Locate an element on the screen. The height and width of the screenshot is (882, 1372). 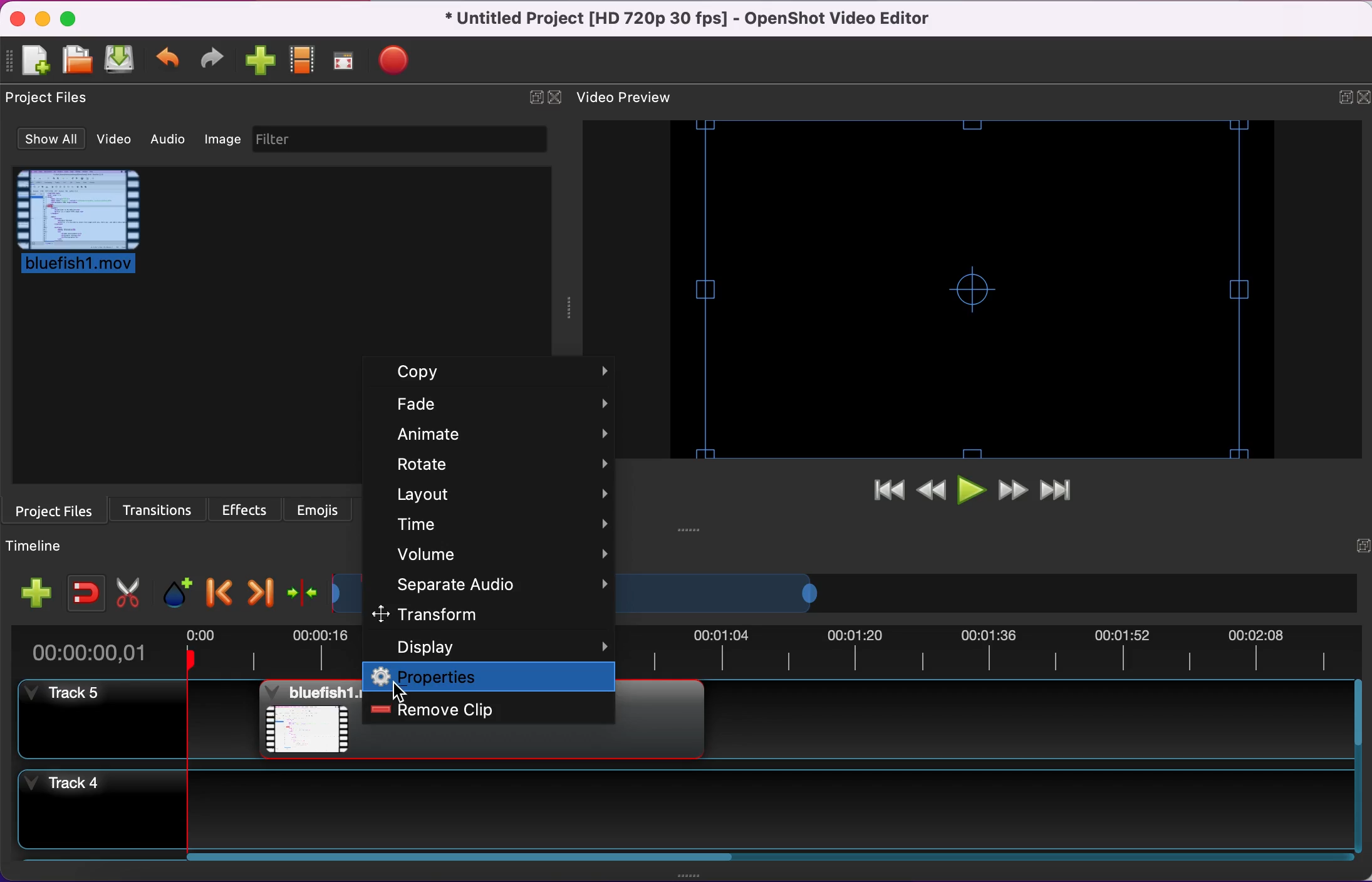
previous marker is located at coordinates (221, 593).